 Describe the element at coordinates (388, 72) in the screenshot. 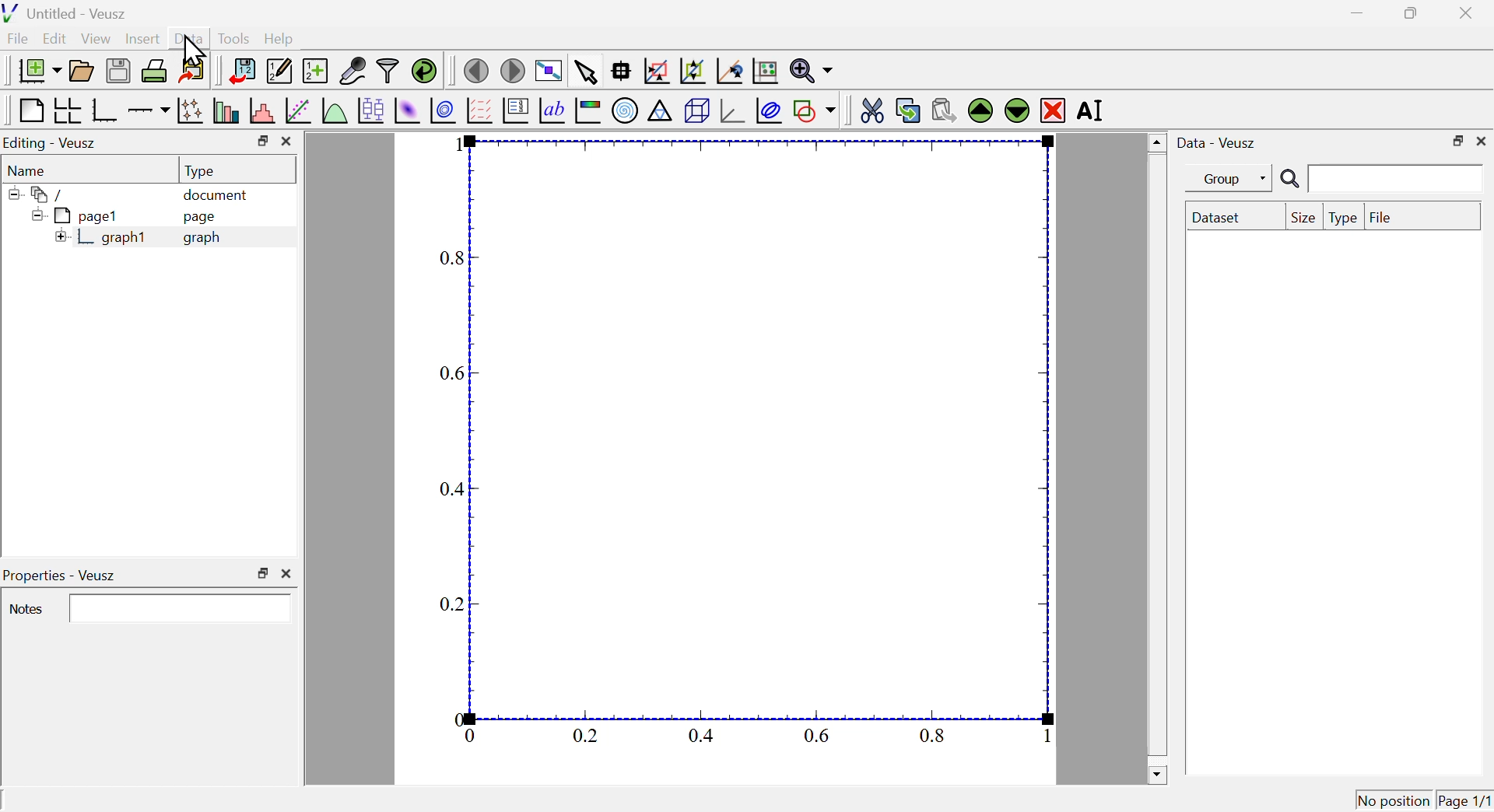

I see `filter data` at that location.